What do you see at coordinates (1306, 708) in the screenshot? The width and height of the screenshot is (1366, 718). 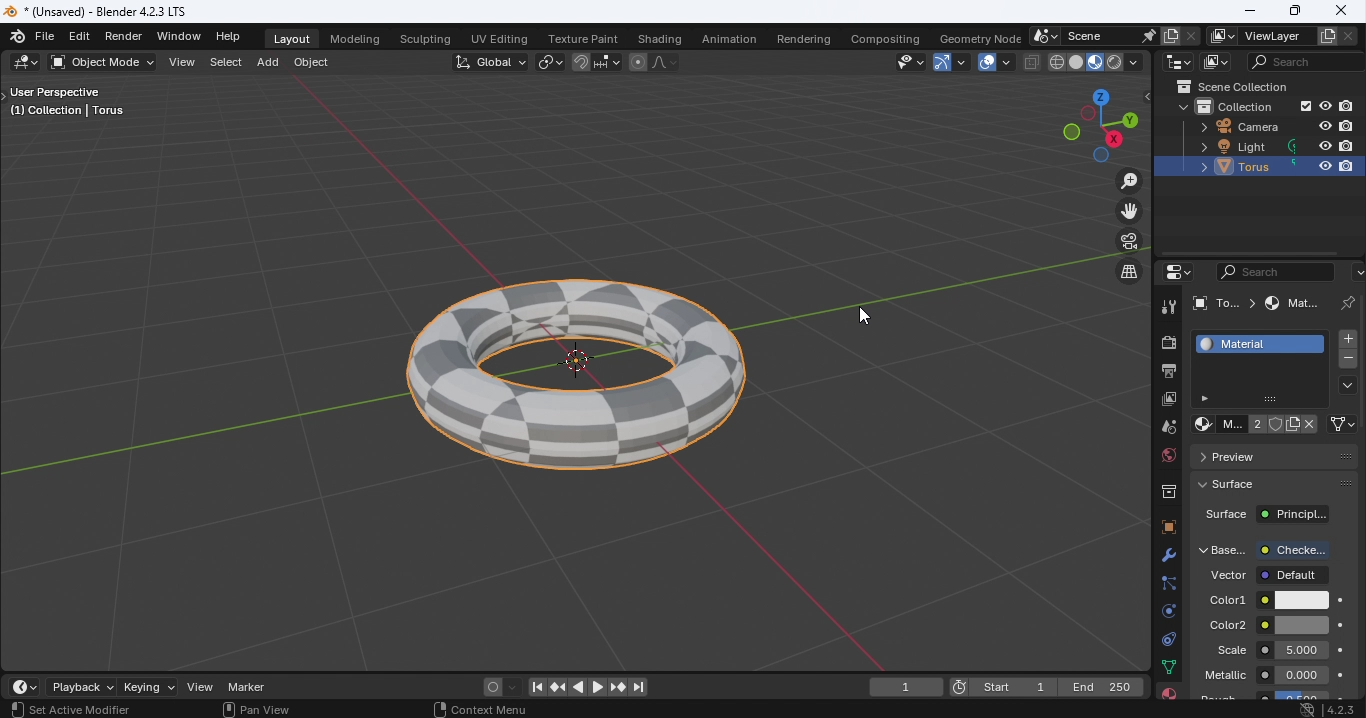 I see `System update` at bounding box center [1306, 708].